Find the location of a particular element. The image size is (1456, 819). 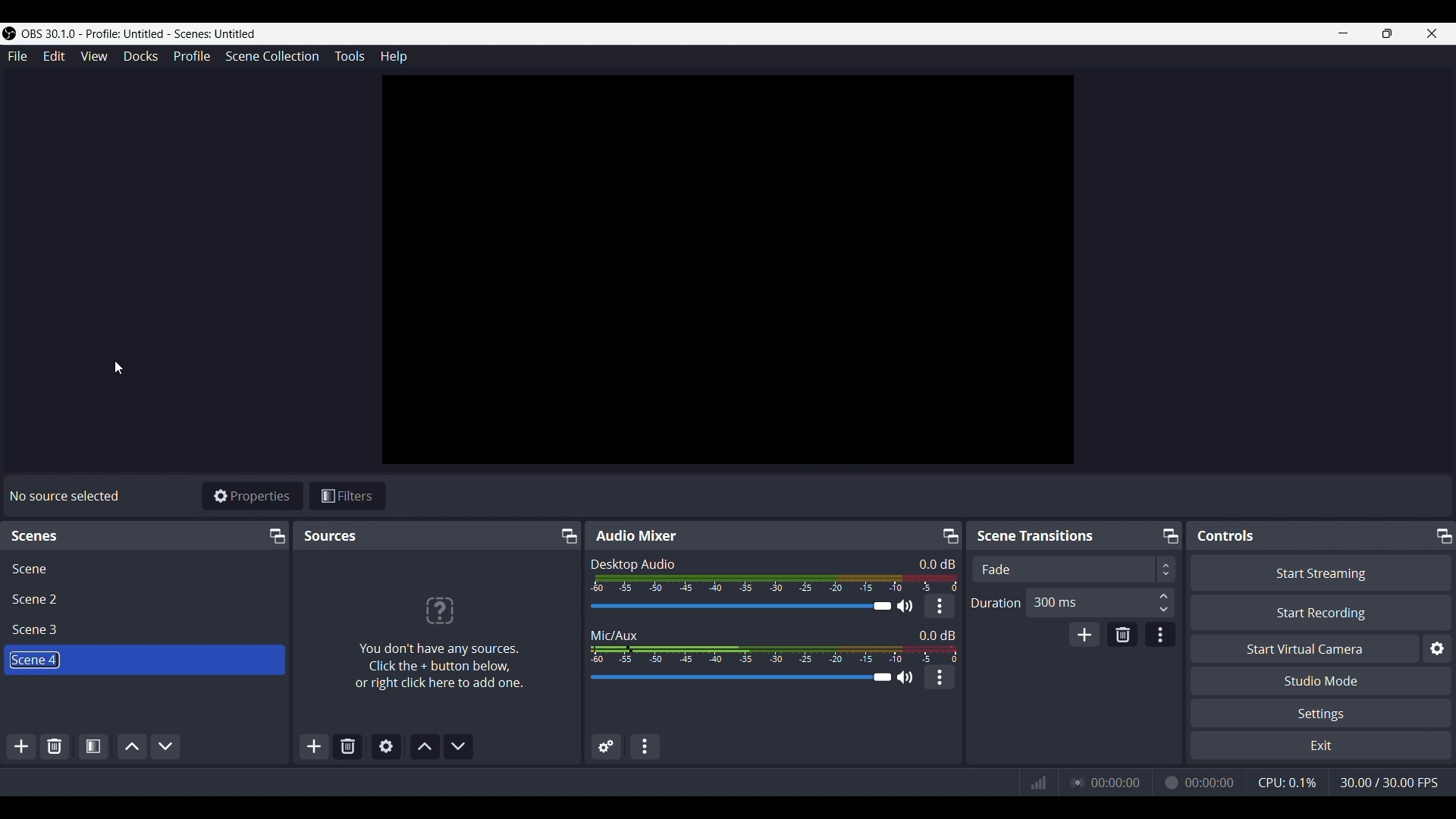

Properties is located at coordinates (252, 495).